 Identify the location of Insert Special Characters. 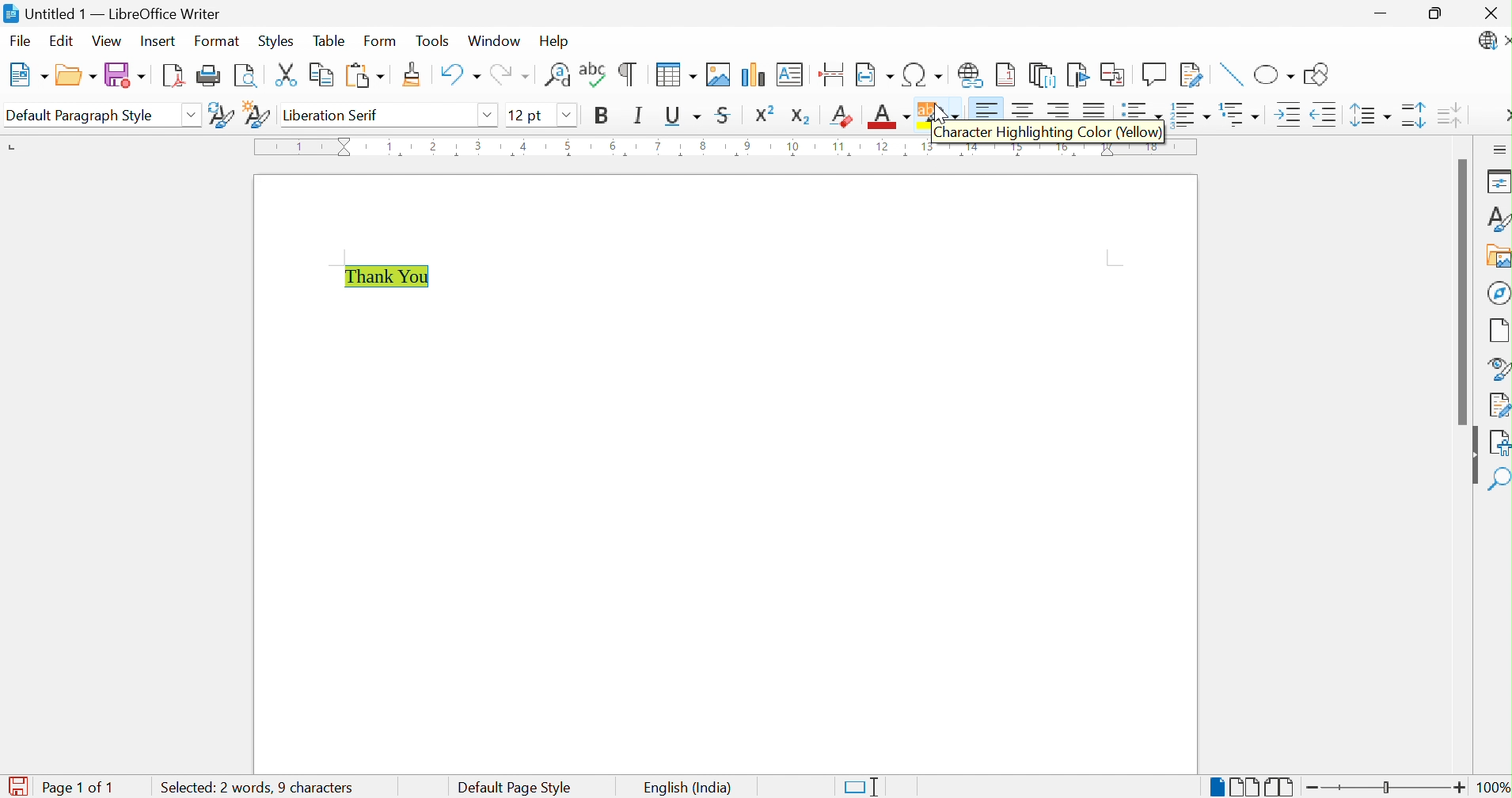
(922, 74).